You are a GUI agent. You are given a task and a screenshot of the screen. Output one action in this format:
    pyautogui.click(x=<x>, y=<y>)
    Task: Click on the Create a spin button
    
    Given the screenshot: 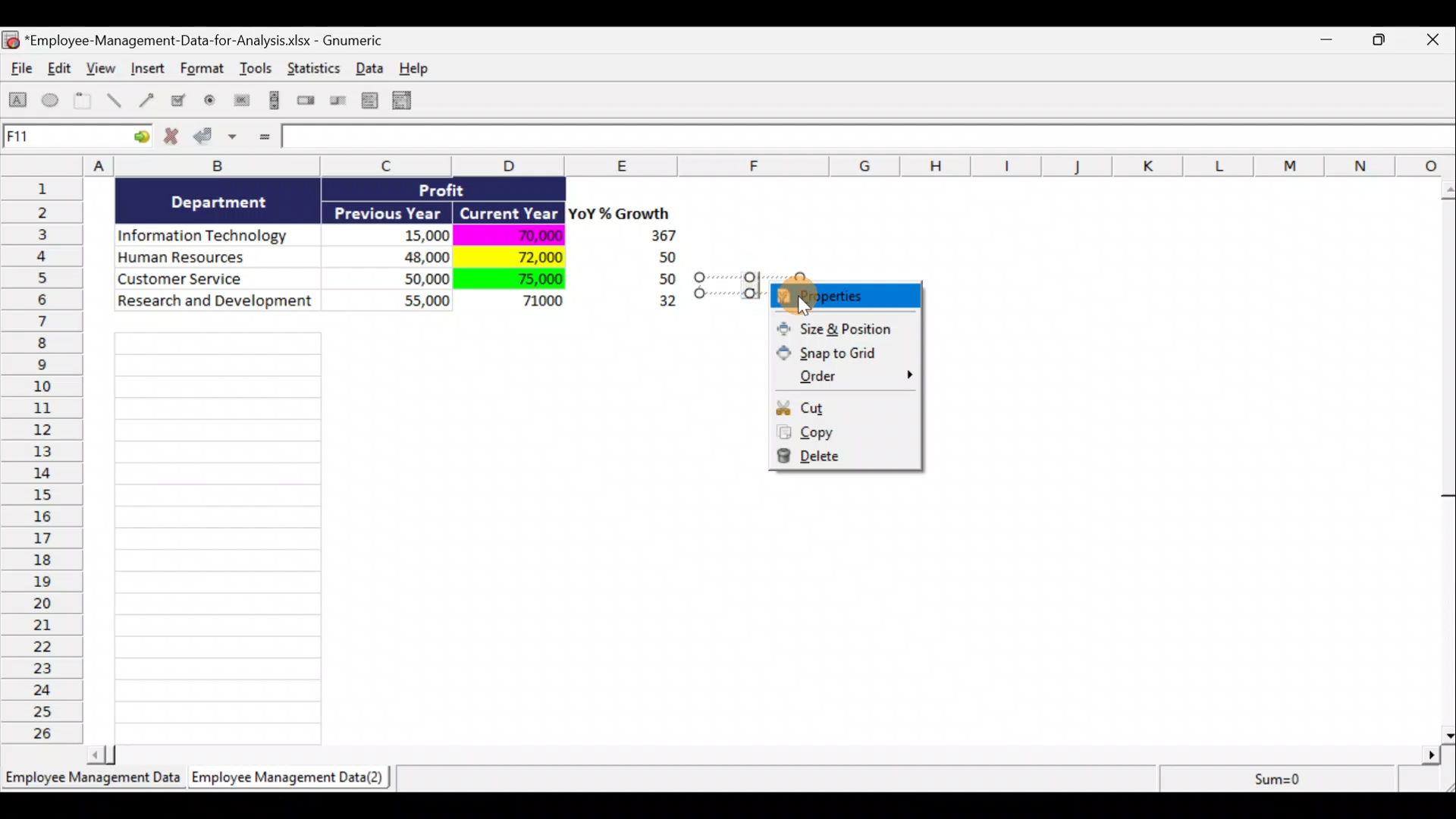 What is the action you would take?
    pyautogui.click(x=307, y=102)
    